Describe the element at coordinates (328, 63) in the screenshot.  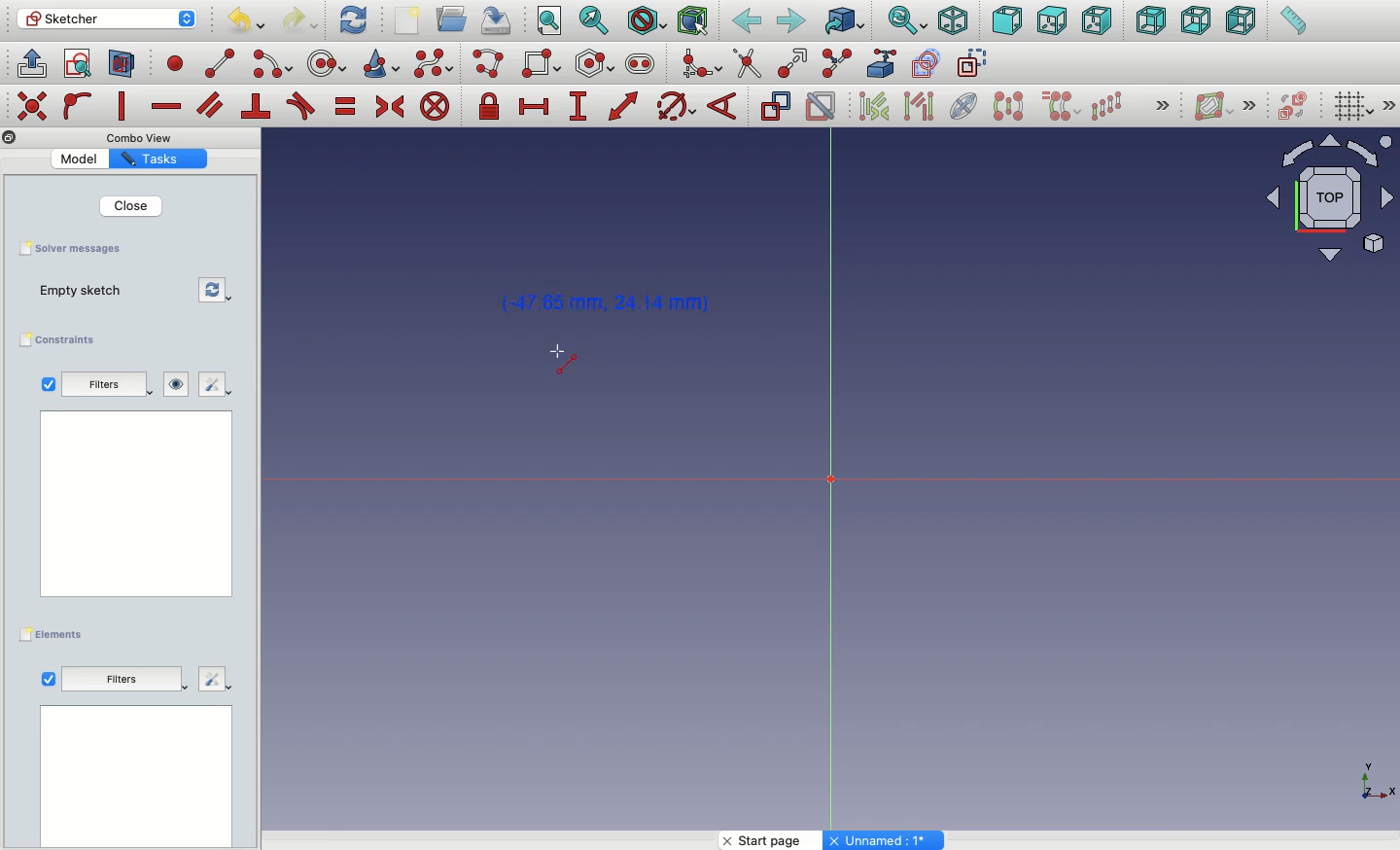
I see `circle` at that location.